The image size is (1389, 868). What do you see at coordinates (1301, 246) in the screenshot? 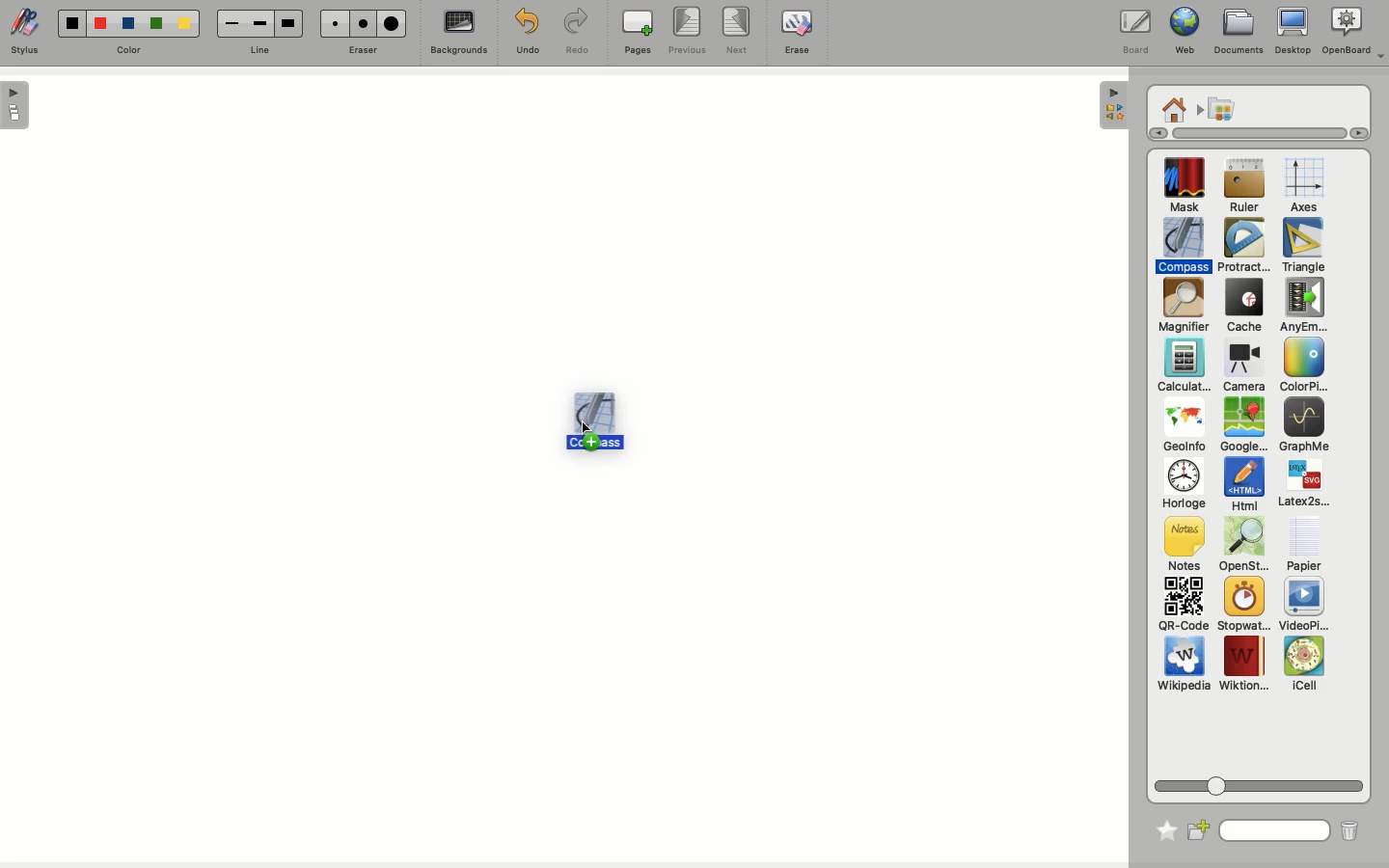
I see `Triangle` at bounding box center [1301, 246].